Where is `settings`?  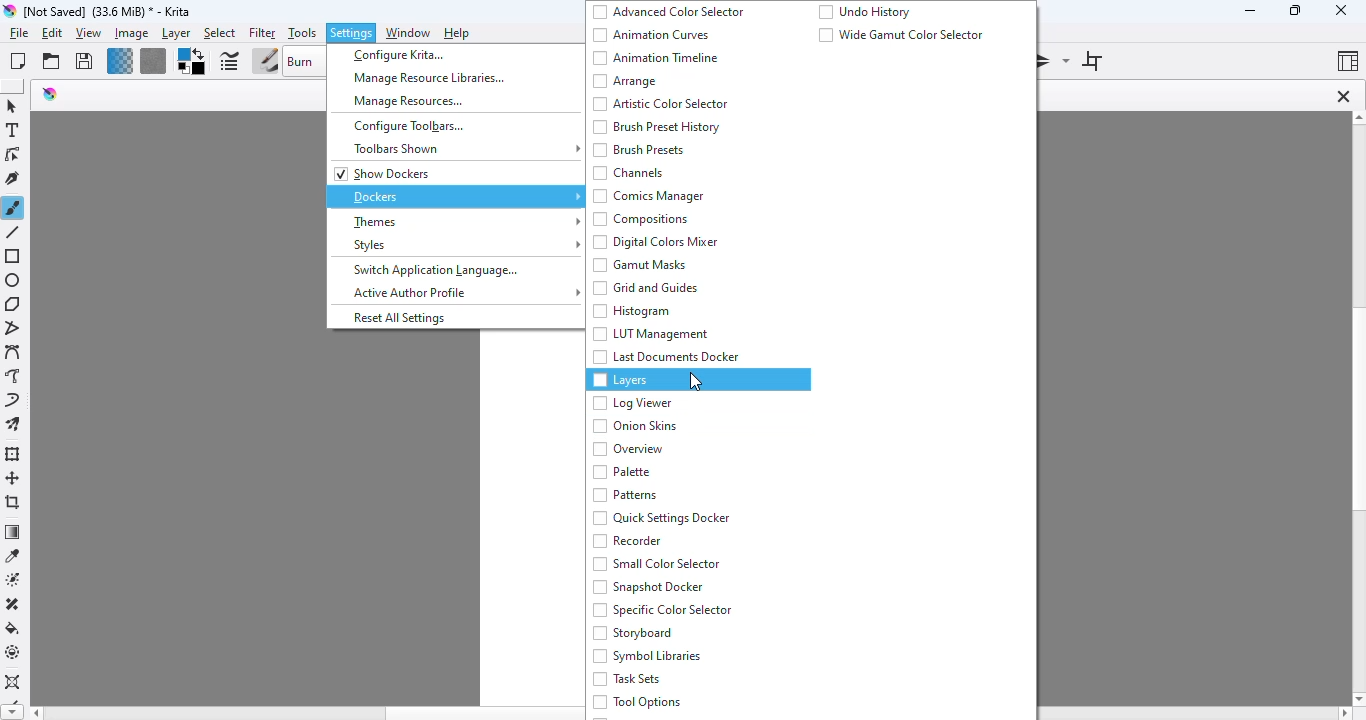 settings is located at coordinates (352, 33).